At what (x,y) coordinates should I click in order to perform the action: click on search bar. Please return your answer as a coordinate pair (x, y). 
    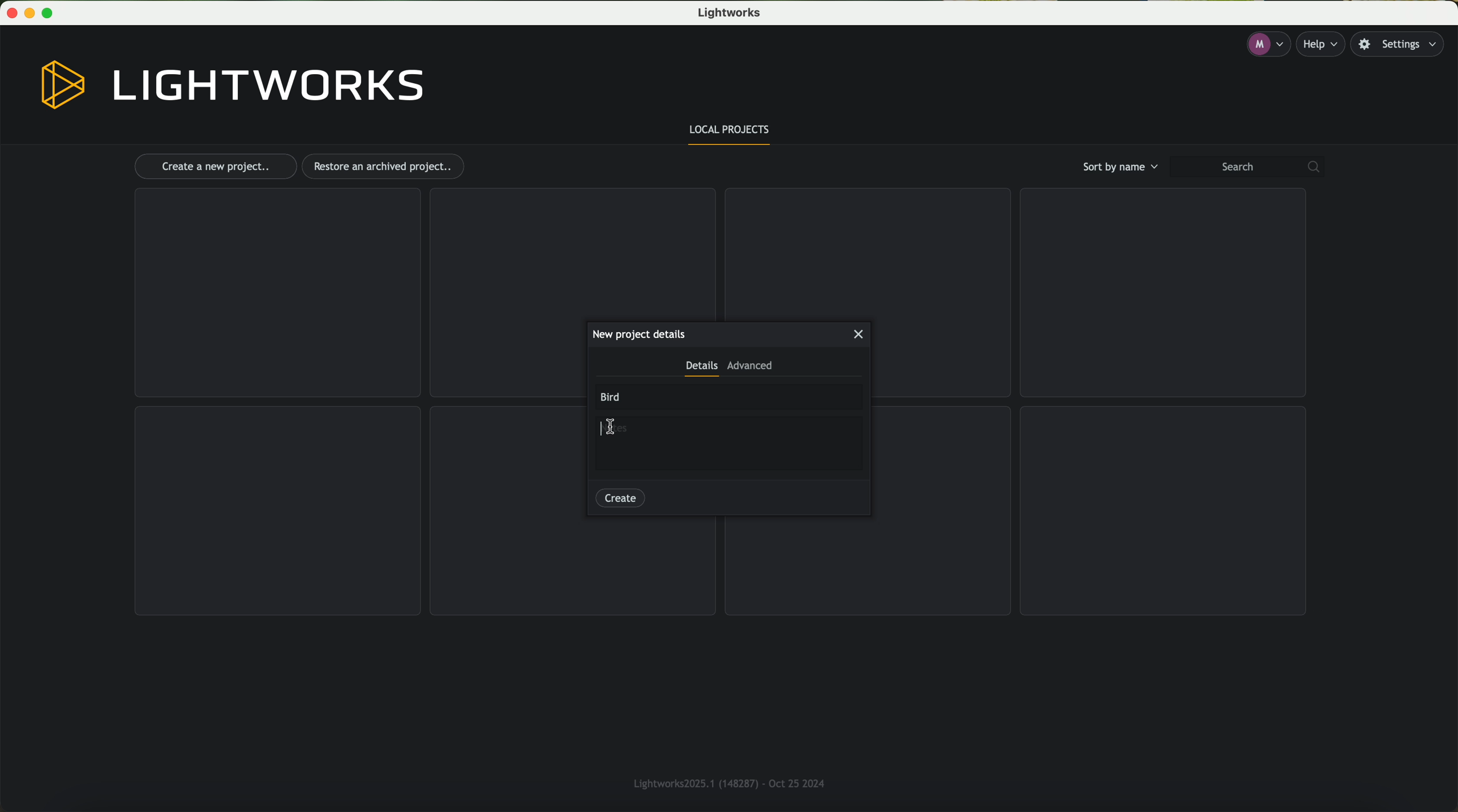
    Looking at the image, I should click on (1252, 167).